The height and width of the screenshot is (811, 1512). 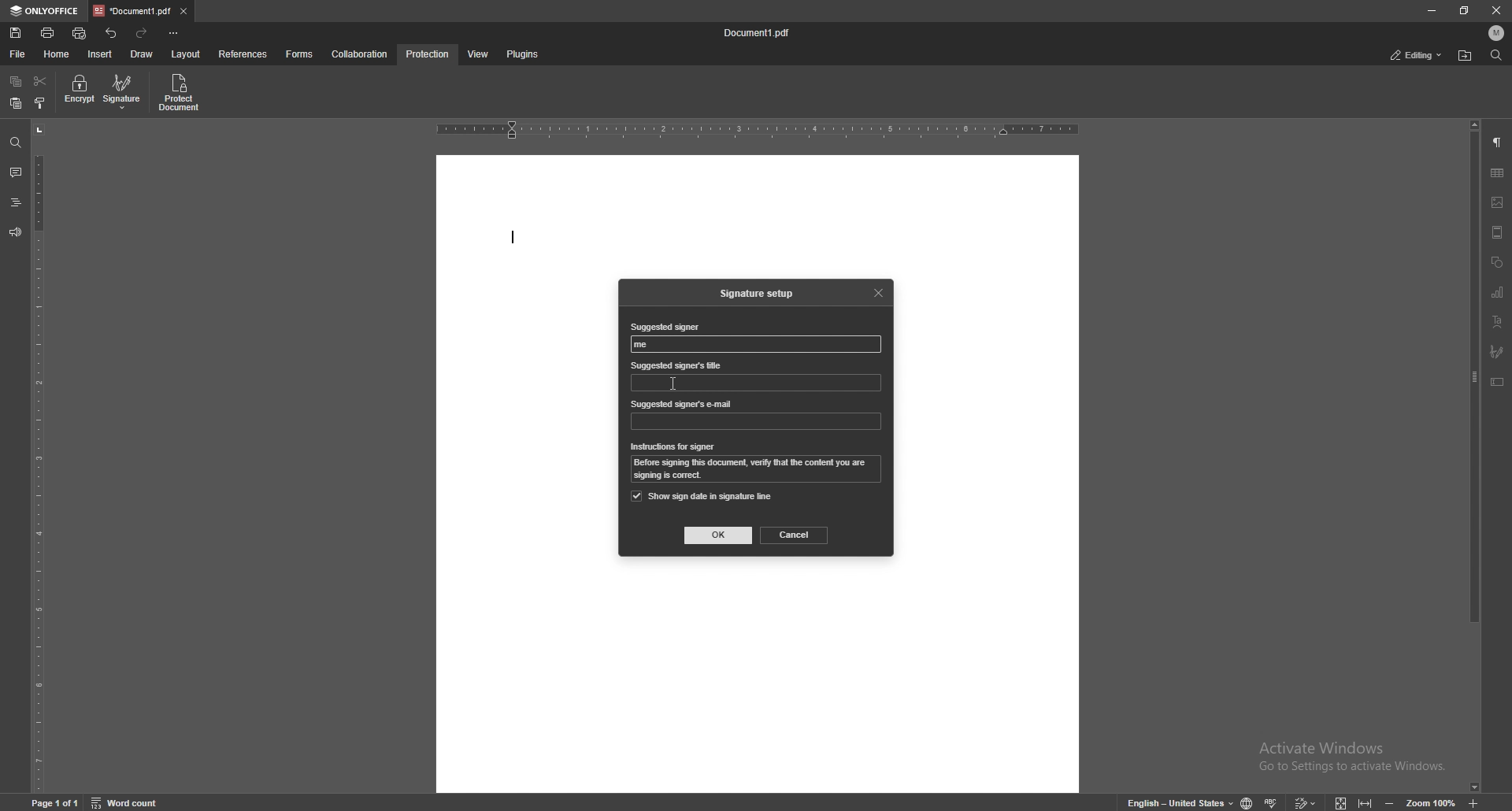 I want to click on onlyoffice, so click(x=46, y=11).